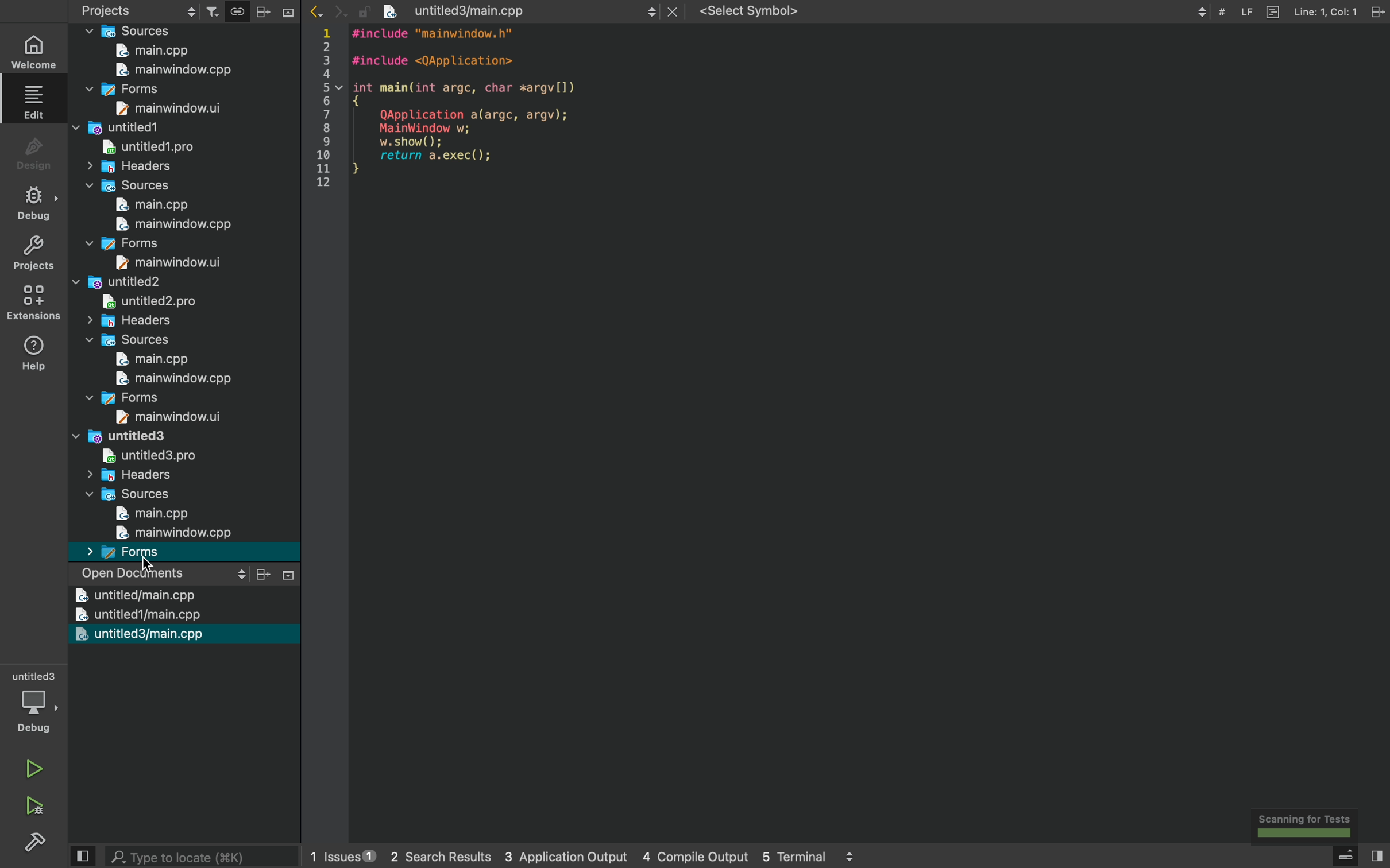 This screenshot has width=1390, height=868. I want to click on Forms, so click(122, 243).